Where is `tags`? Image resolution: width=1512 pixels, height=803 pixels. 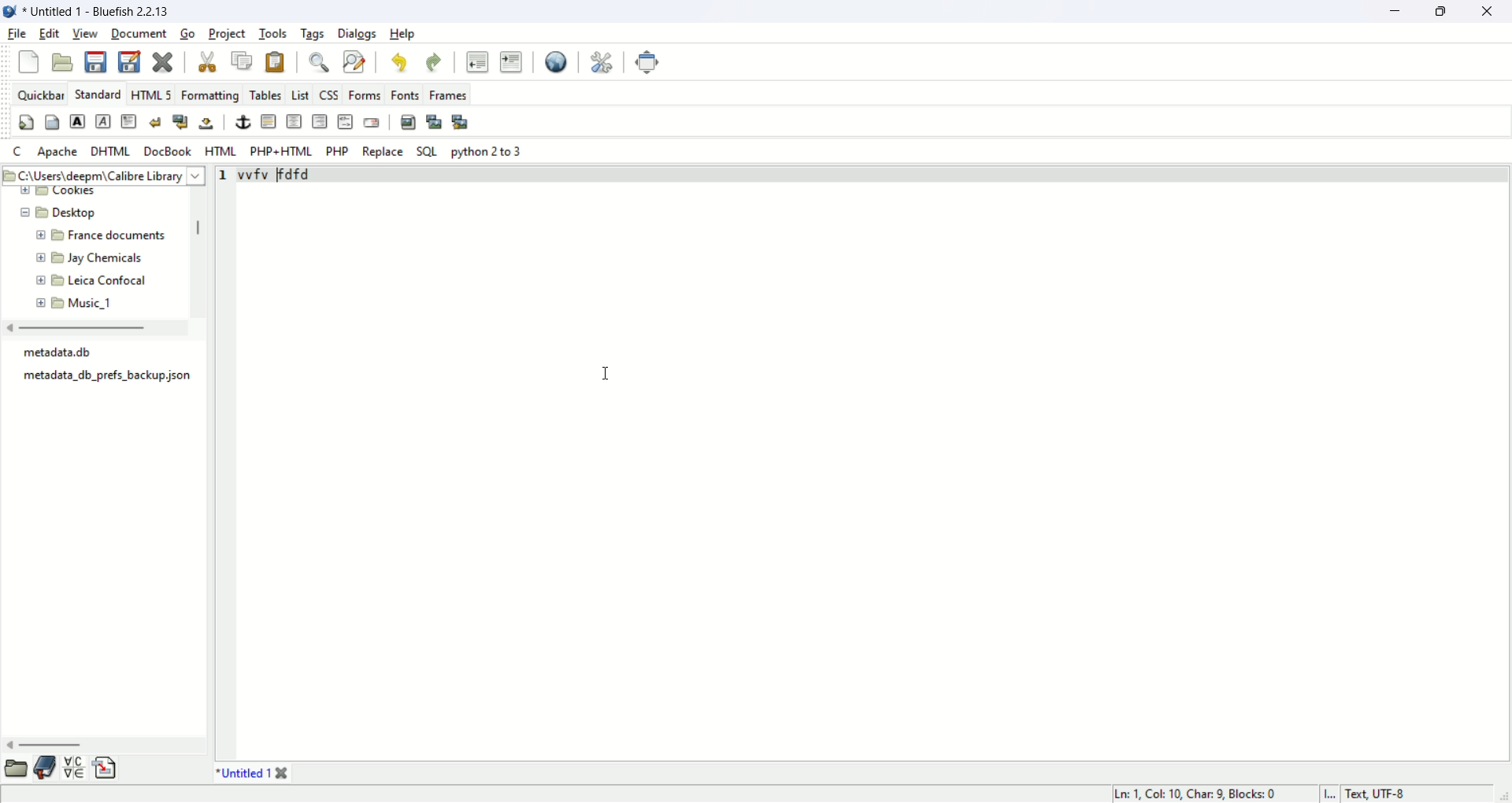
tags is located at coordinates (314, 35).